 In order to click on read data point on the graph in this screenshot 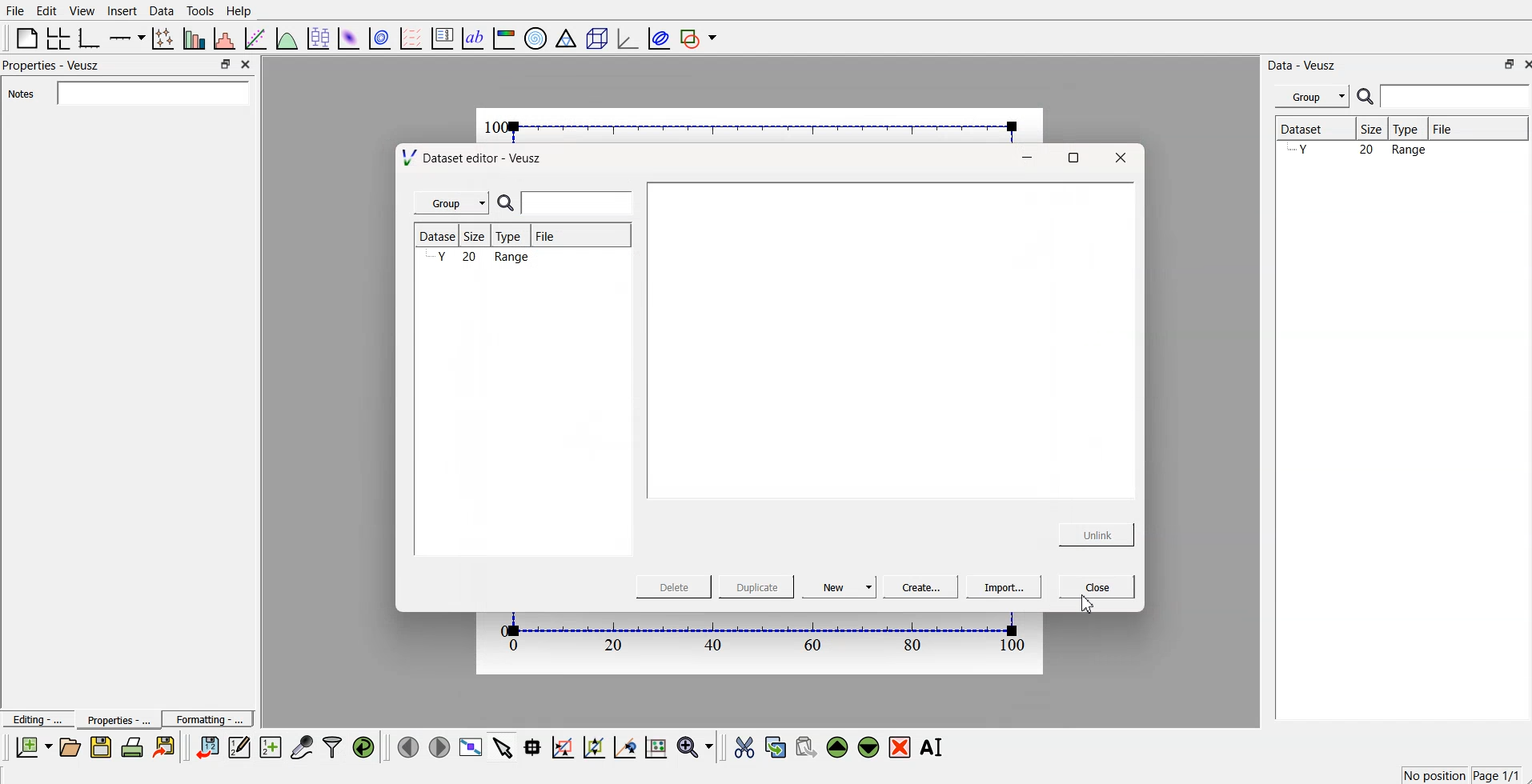, I will do `click(534, 746)`.